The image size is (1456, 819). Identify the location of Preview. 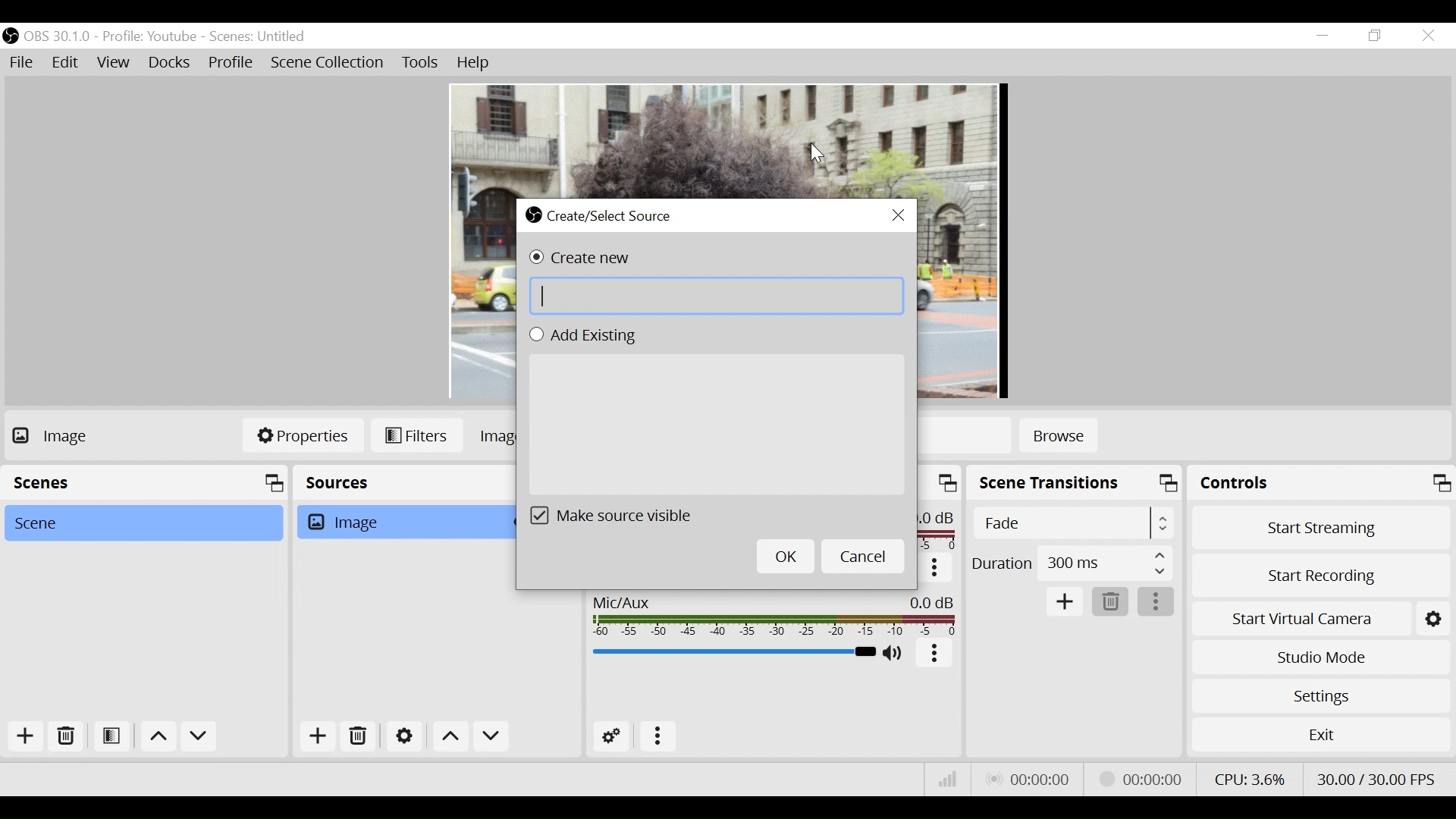
(726, 132).